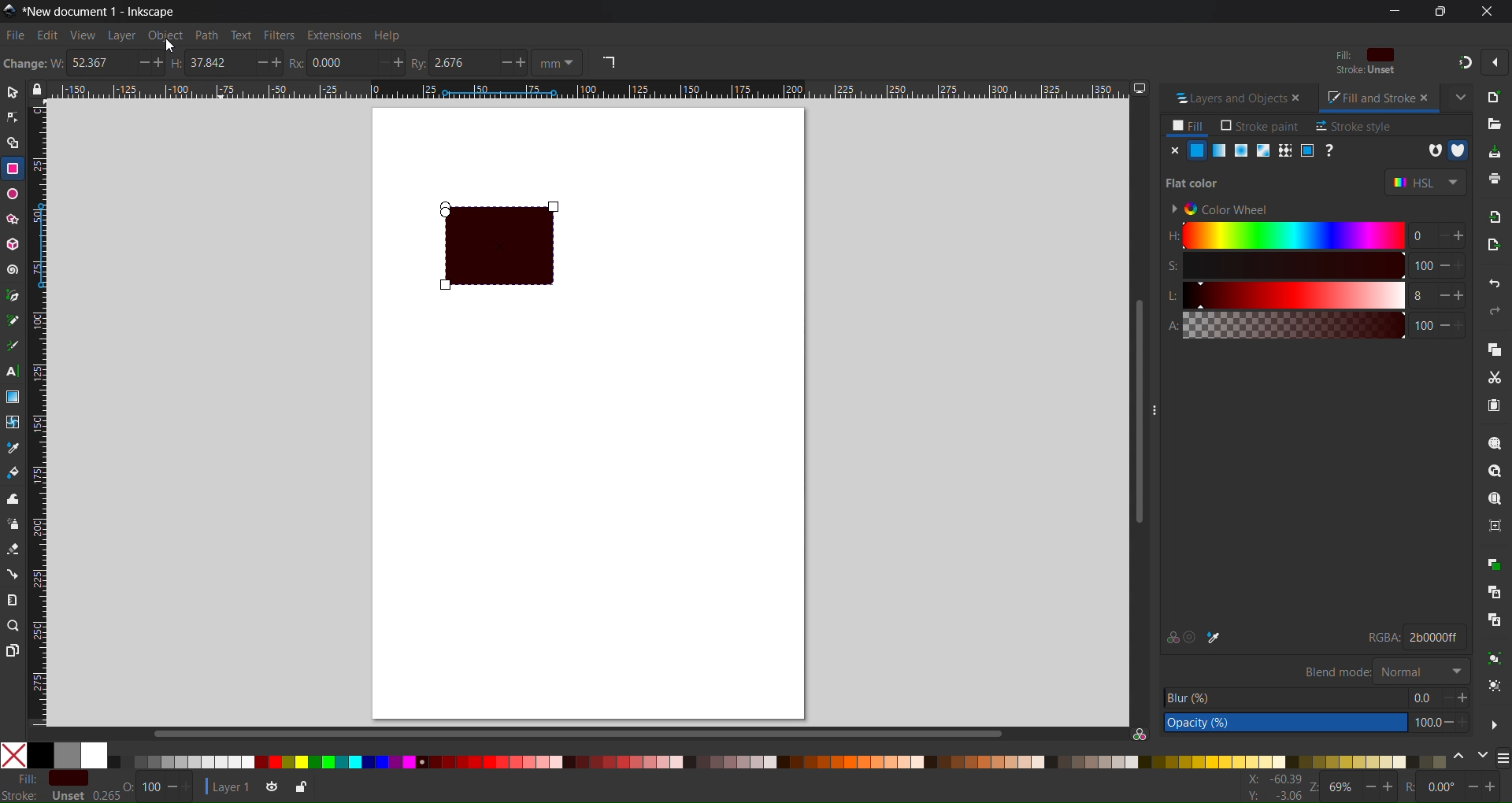 The width and height of the screenshot is (1512, 803). I want to click on Flat color, so click(1197, 150).